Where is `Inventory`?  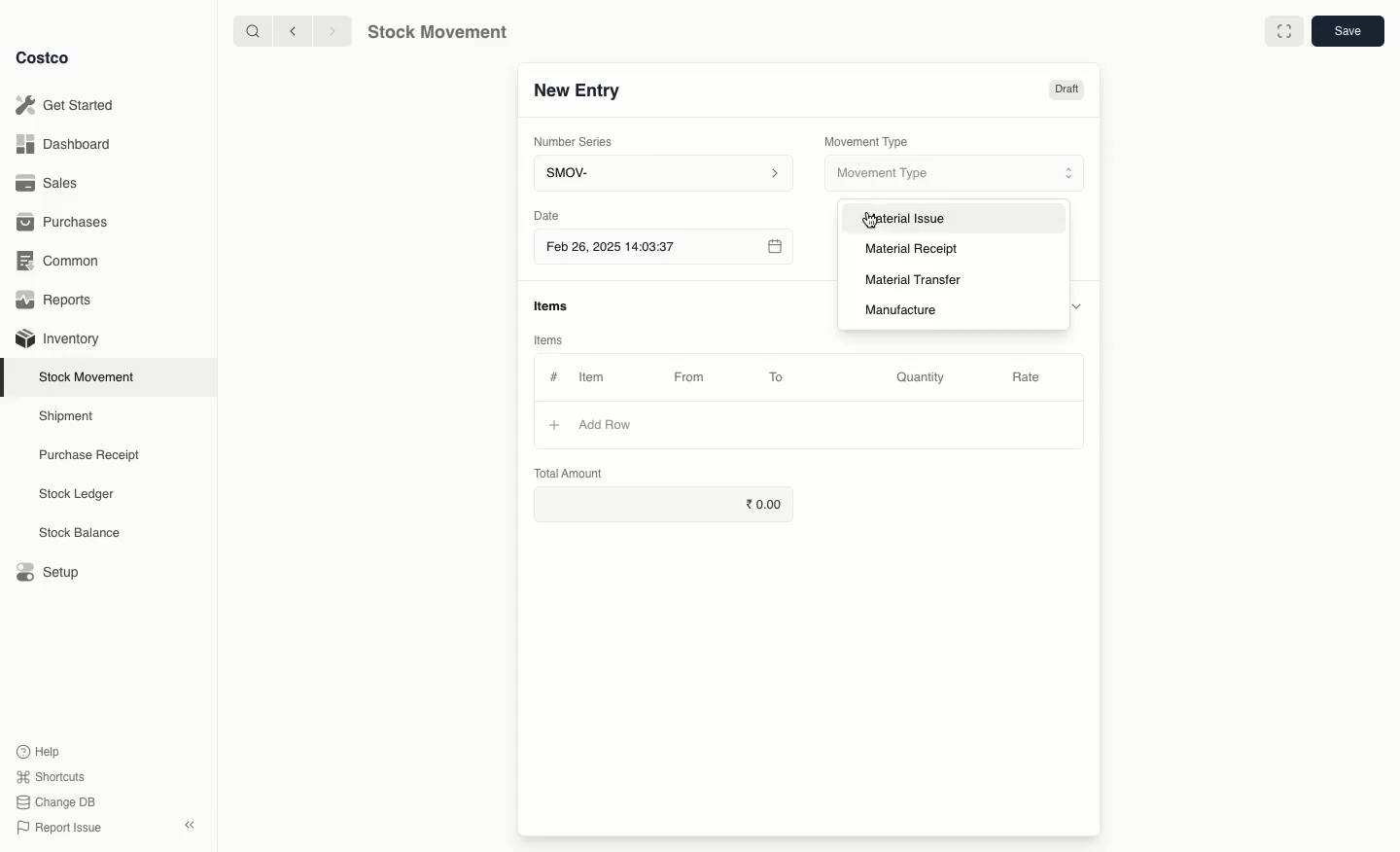 Inventory is located at coordinates (60, 339).